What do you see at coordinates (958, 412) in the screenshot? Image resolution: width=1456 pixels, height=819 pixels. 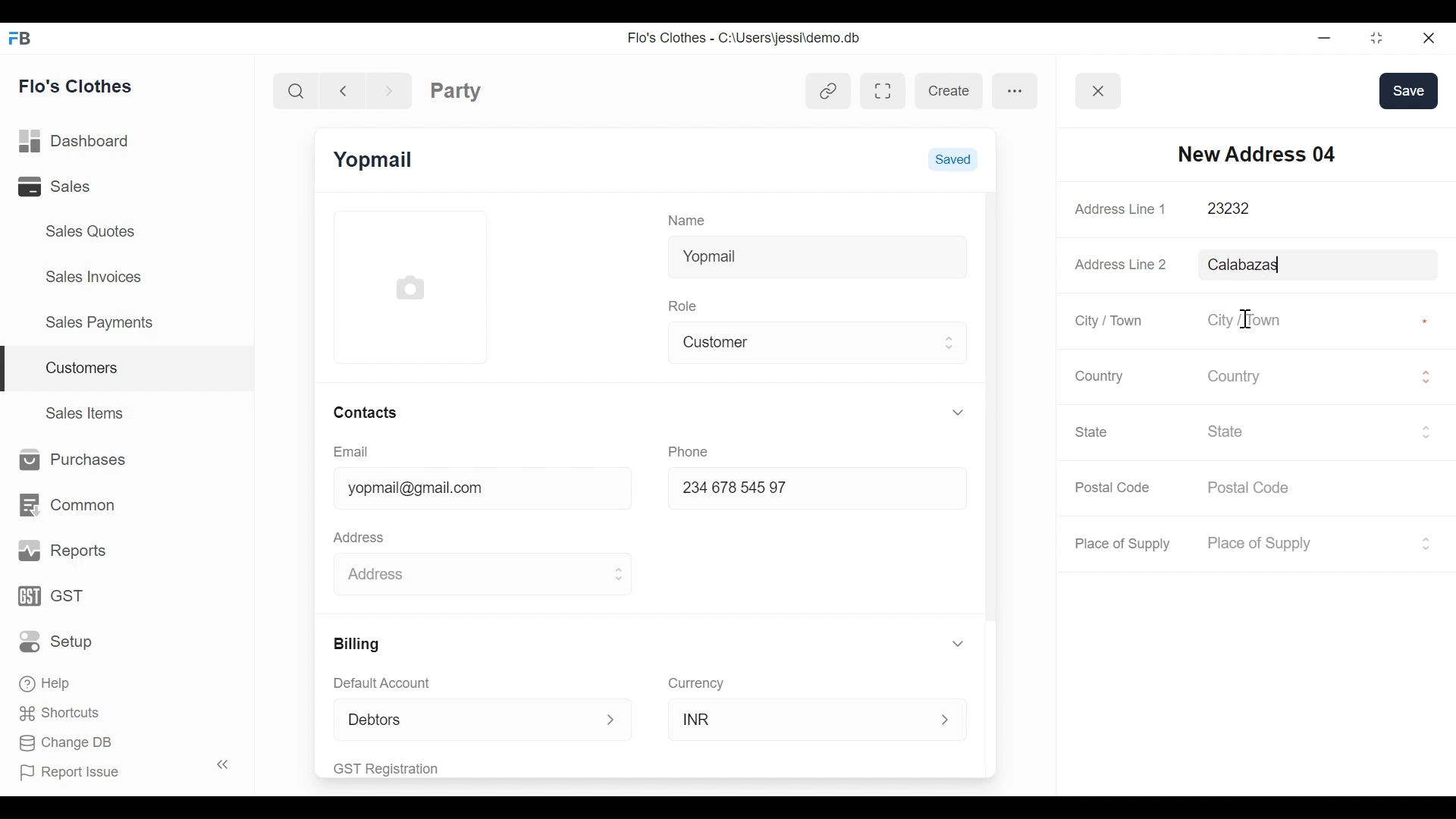 I see `Expand` at bounding box center [958, 412].